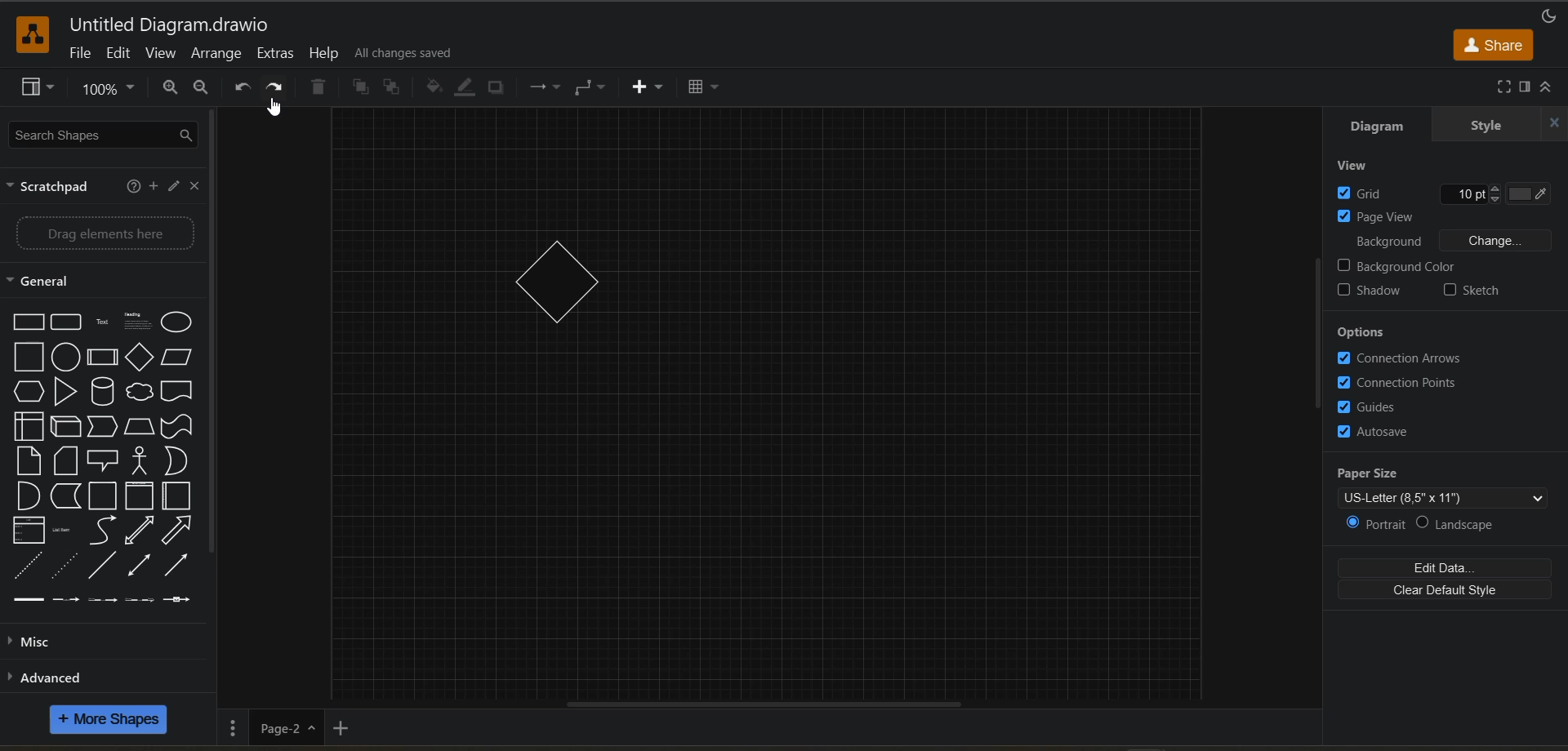 This screenshot has width=1568, height=751. I want to click on triangle, so click(66, 392).